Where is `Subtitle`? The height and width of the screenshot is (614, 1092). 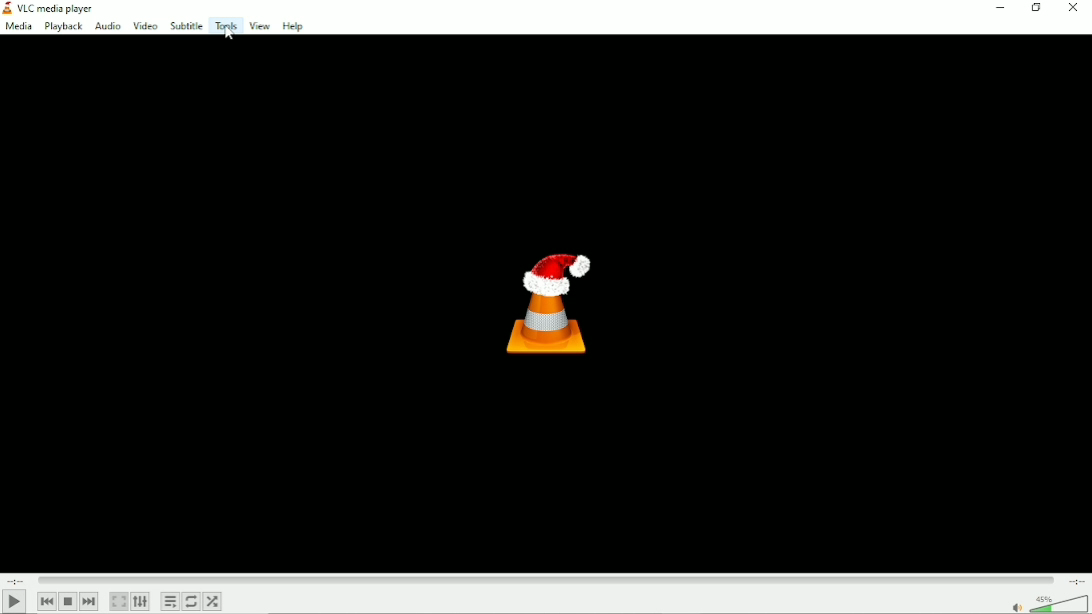 Subtitle is located at coordinates (185, 26).